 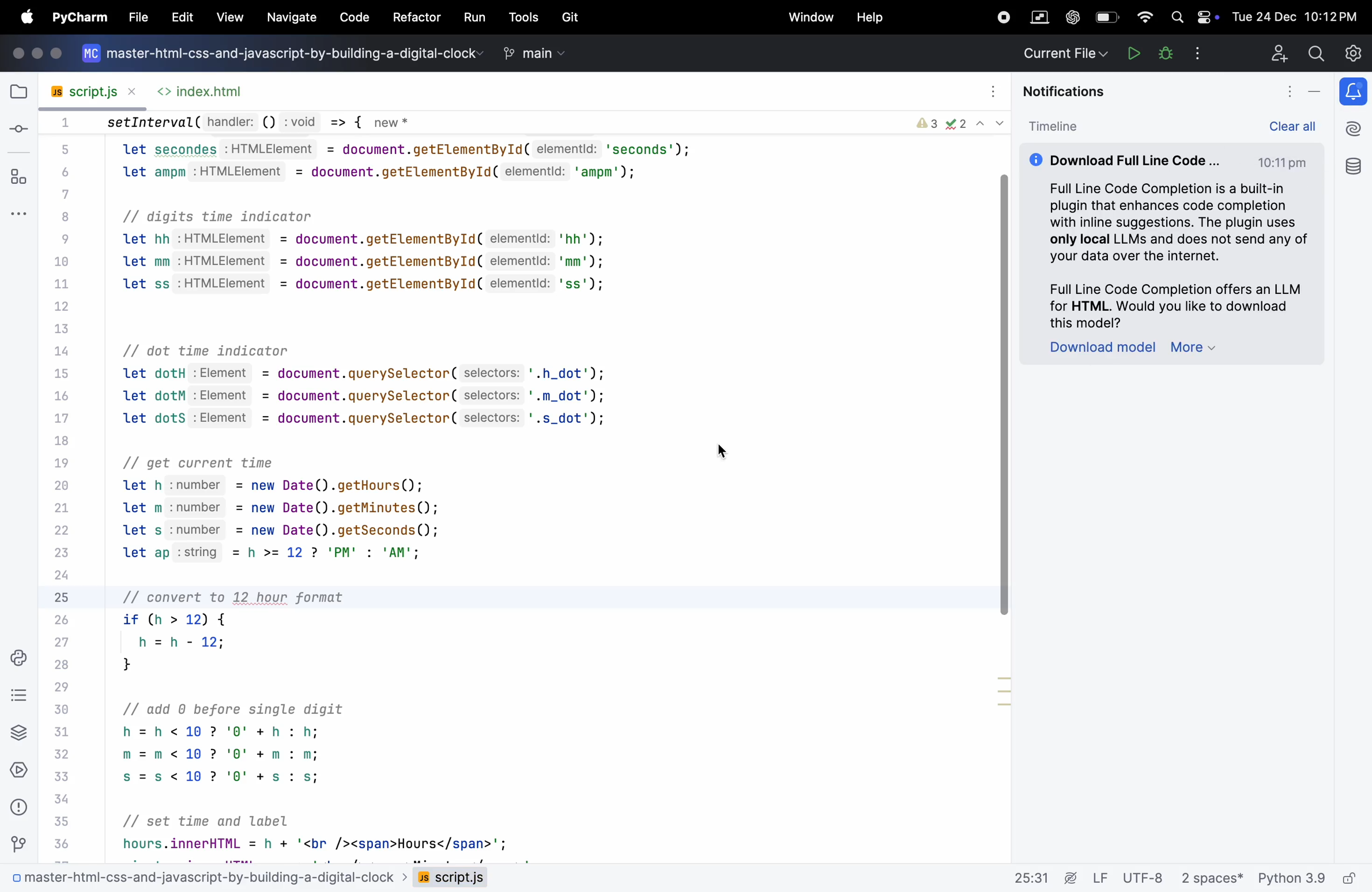 What do you see at coordinates (1352, 164) in the screenshot?
I see `data base` at bounding box center [1352, 164].